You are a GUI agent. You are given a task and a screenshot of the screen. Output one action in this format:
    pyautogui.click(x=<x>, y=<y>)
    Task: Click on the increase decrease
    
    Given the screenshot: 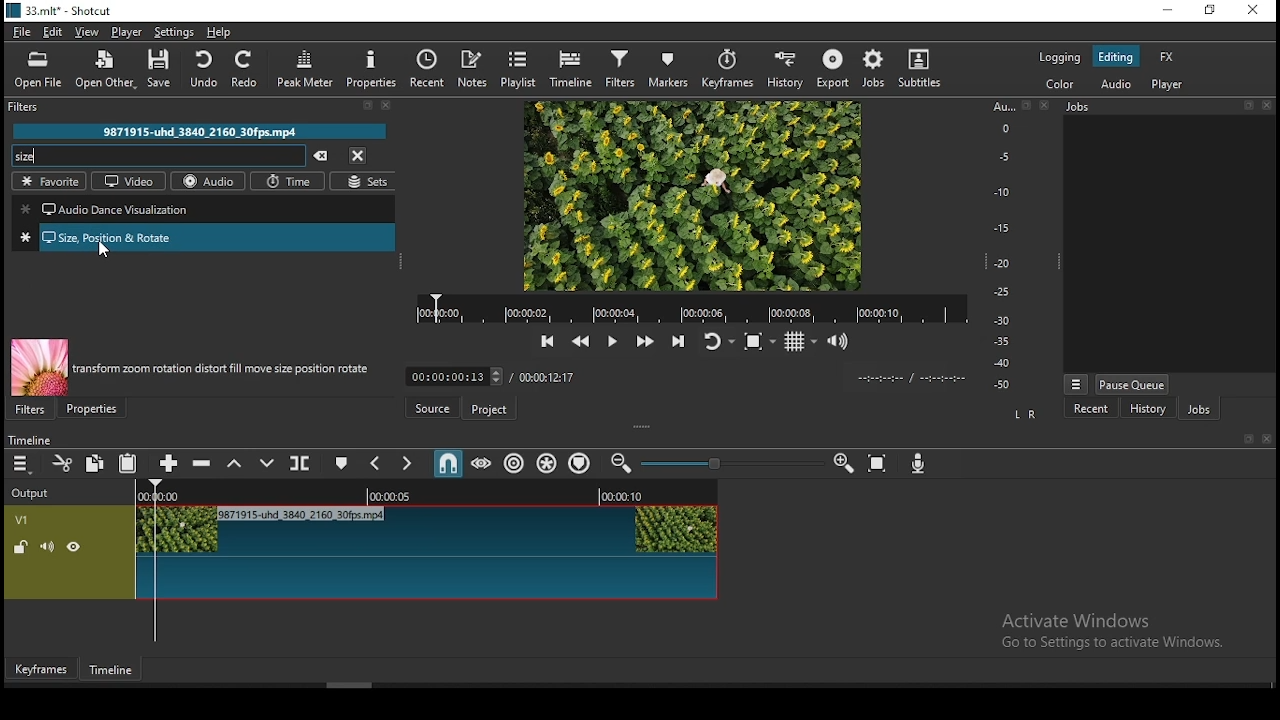 What is the action you would take?
    pyautogui.click(x=495, y=375)
    